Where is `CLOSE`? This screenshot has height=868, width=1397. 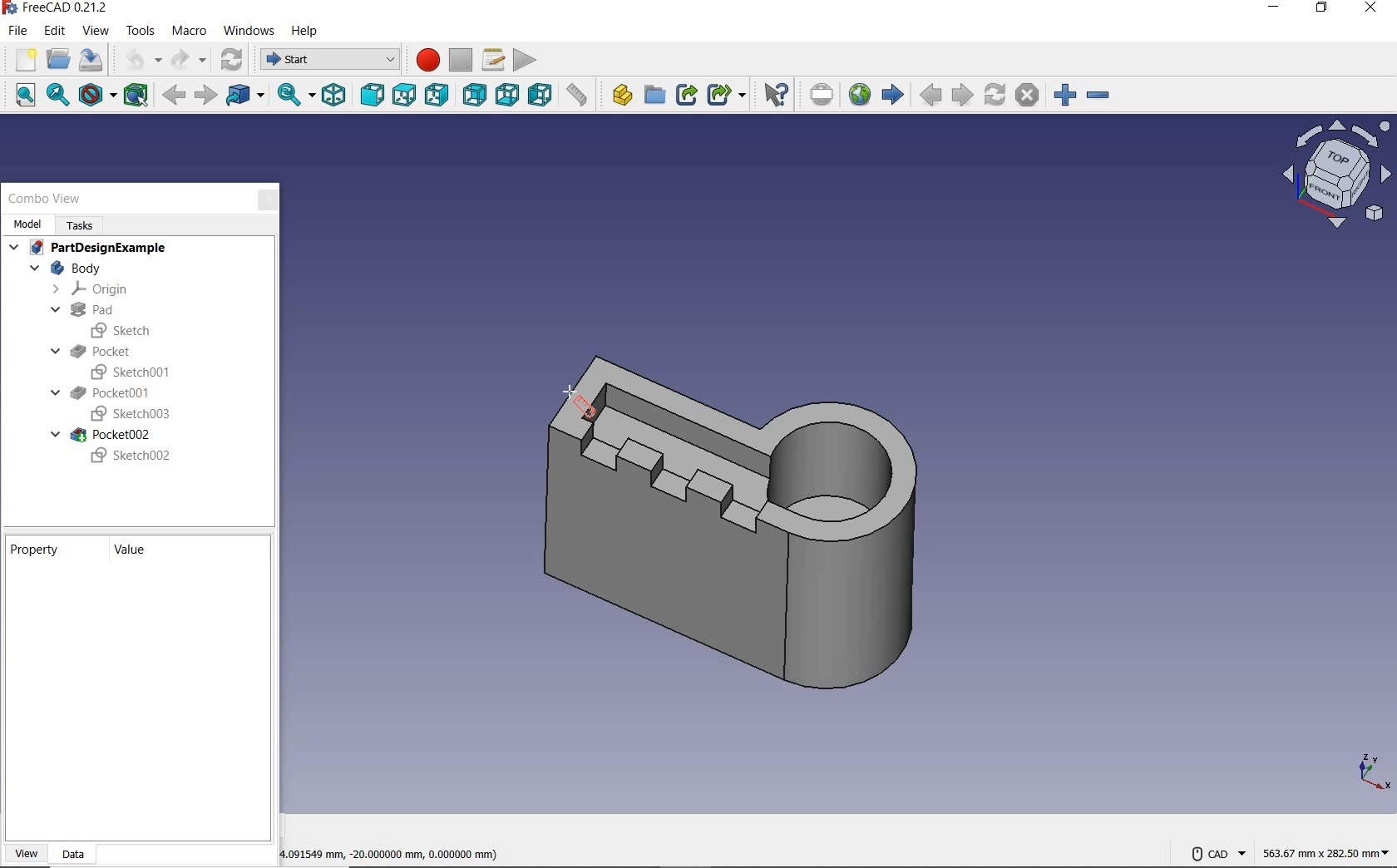 CLOSE is located at coordinates (268, 200).